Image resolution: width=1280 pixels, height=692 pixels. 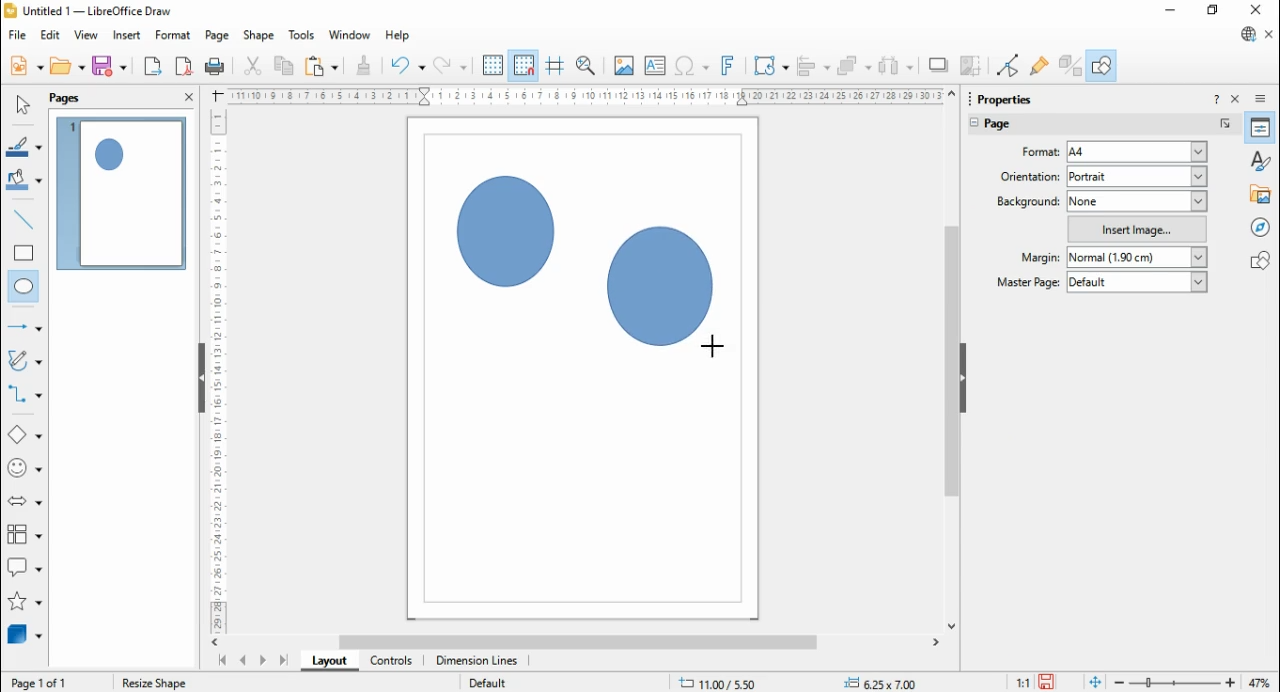 What do you see at coordinates (1028, 201) in the screenshot?
I see `background` at bounding box center [1028, 201].